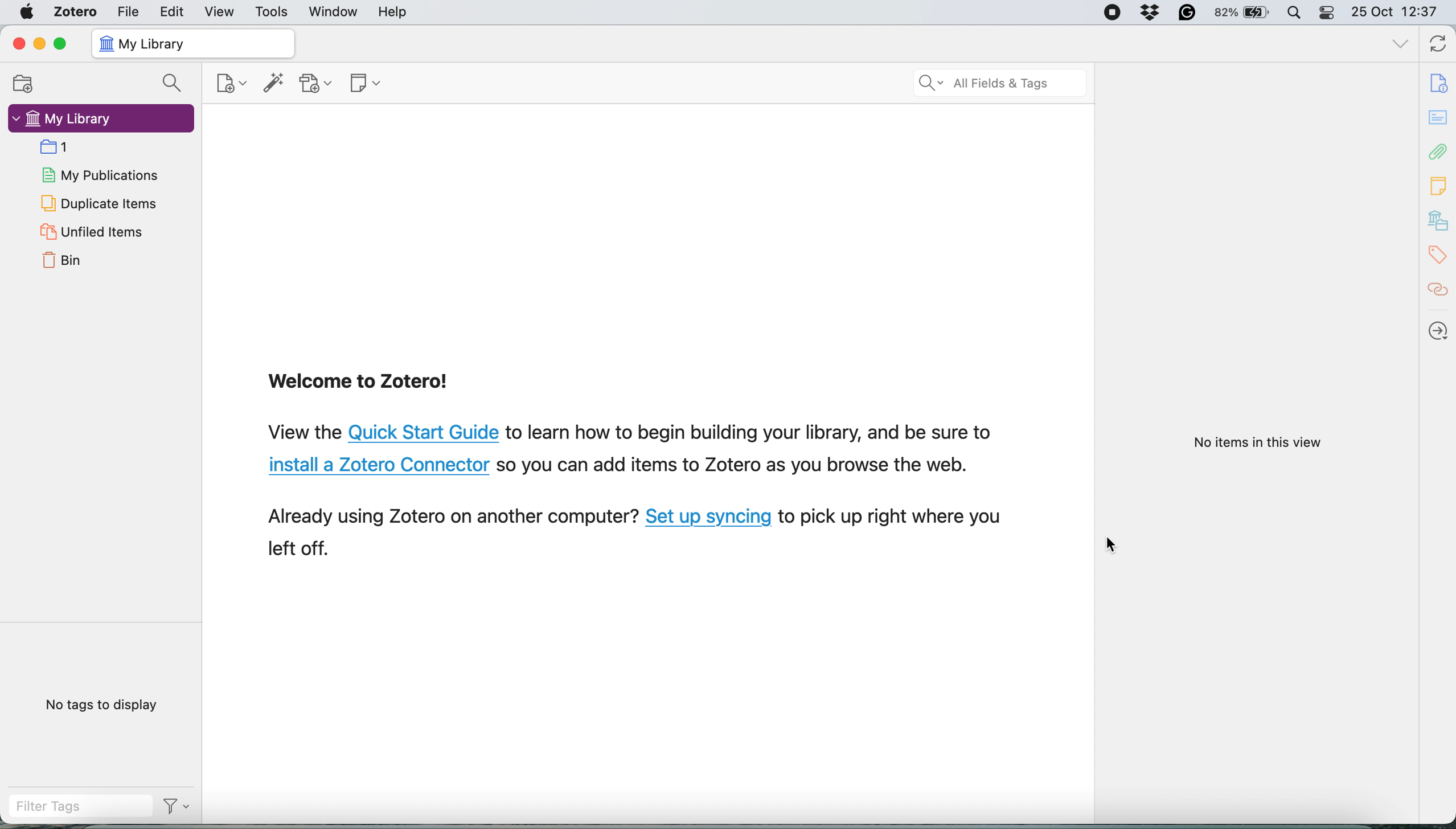 The height and width of the screenshot is (829, 1456). I want to click on View the Quick Start Guide to learn how to begin building your library, and be sure to install a Zotero Connector so you can add items to Zotero as you browse the web. Already using Zotero on another computer? Set up syncing to pick up right where you left off., so click(642, 491).